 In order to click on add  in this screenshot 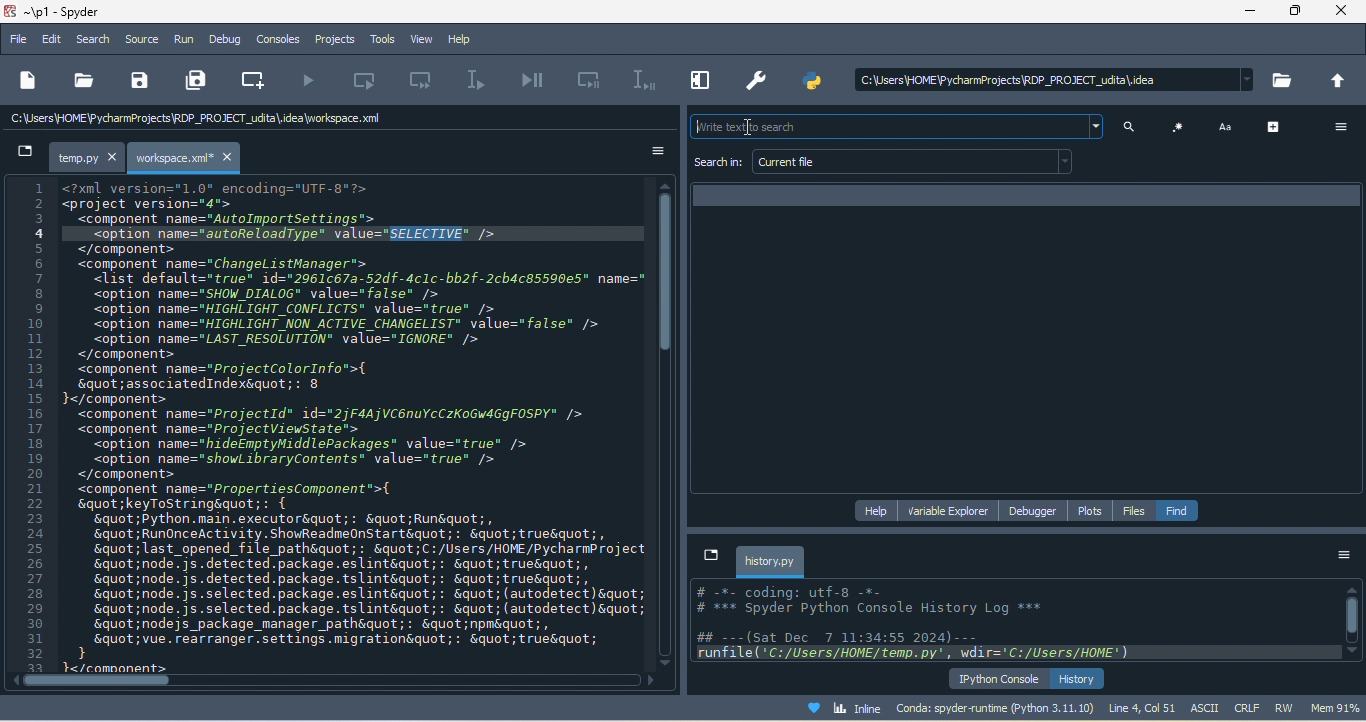, I will do `click(1277, 126)`.